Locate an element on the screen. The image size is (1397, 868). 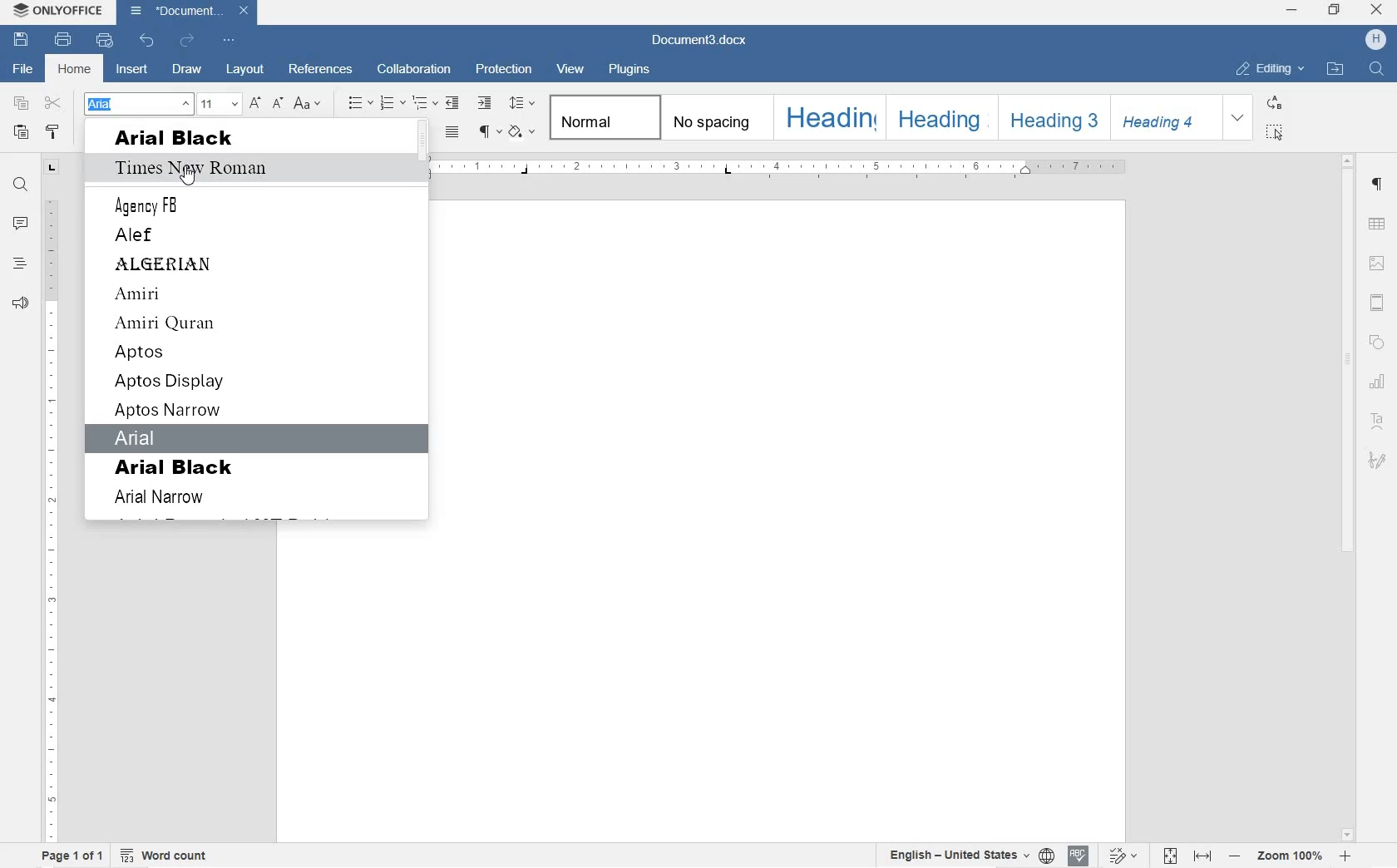
SCROLLBAR is located at coordinates (1350, 496).